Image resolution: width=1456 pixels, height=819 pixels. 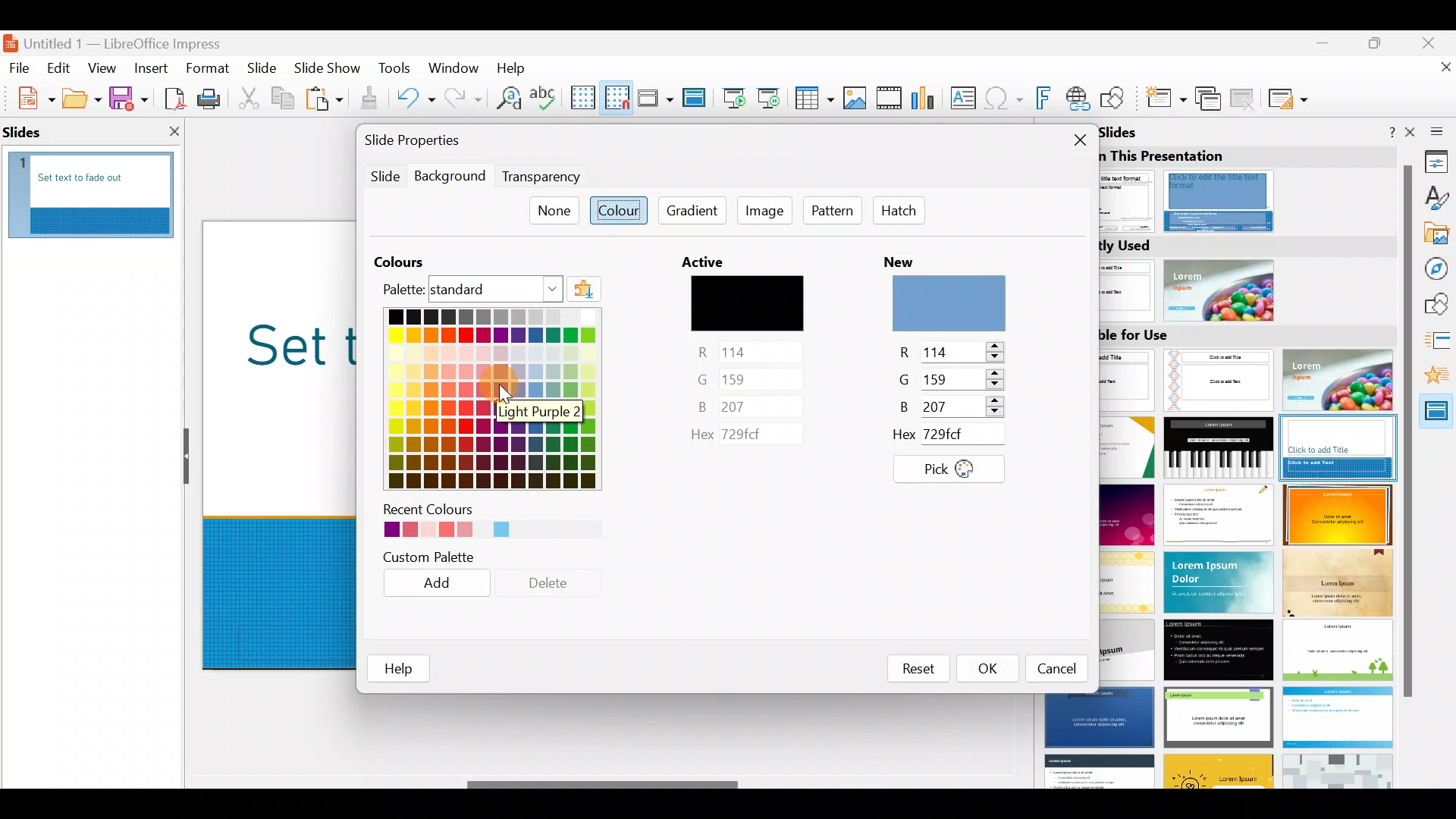 What do you see at coordinates (815, 99) in the screenshot?
I see `Table` at bounding box center [815, 99].